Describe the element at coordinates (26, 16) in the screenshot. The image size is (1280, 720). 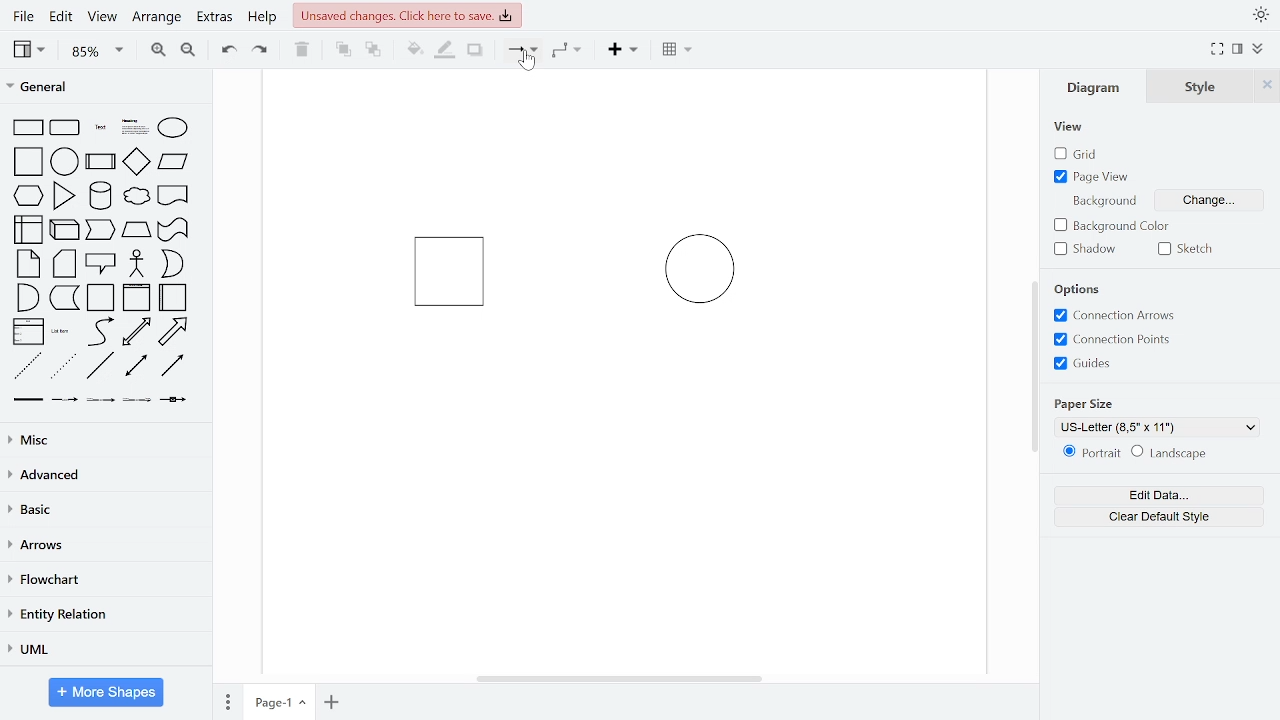
I see `file` at that location.